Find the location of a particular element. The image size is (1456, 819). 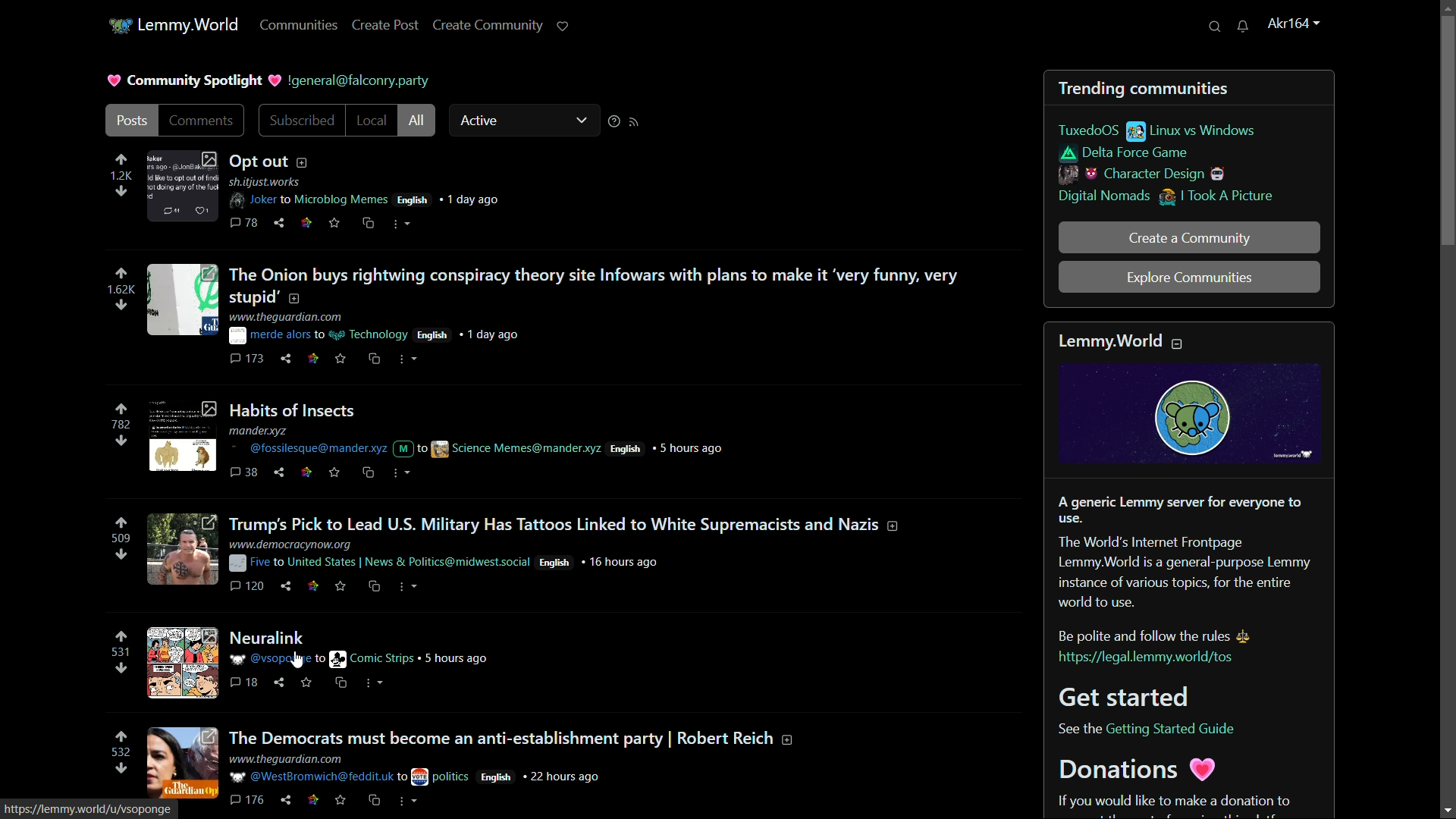

cs is located at coordinates (376, 358).